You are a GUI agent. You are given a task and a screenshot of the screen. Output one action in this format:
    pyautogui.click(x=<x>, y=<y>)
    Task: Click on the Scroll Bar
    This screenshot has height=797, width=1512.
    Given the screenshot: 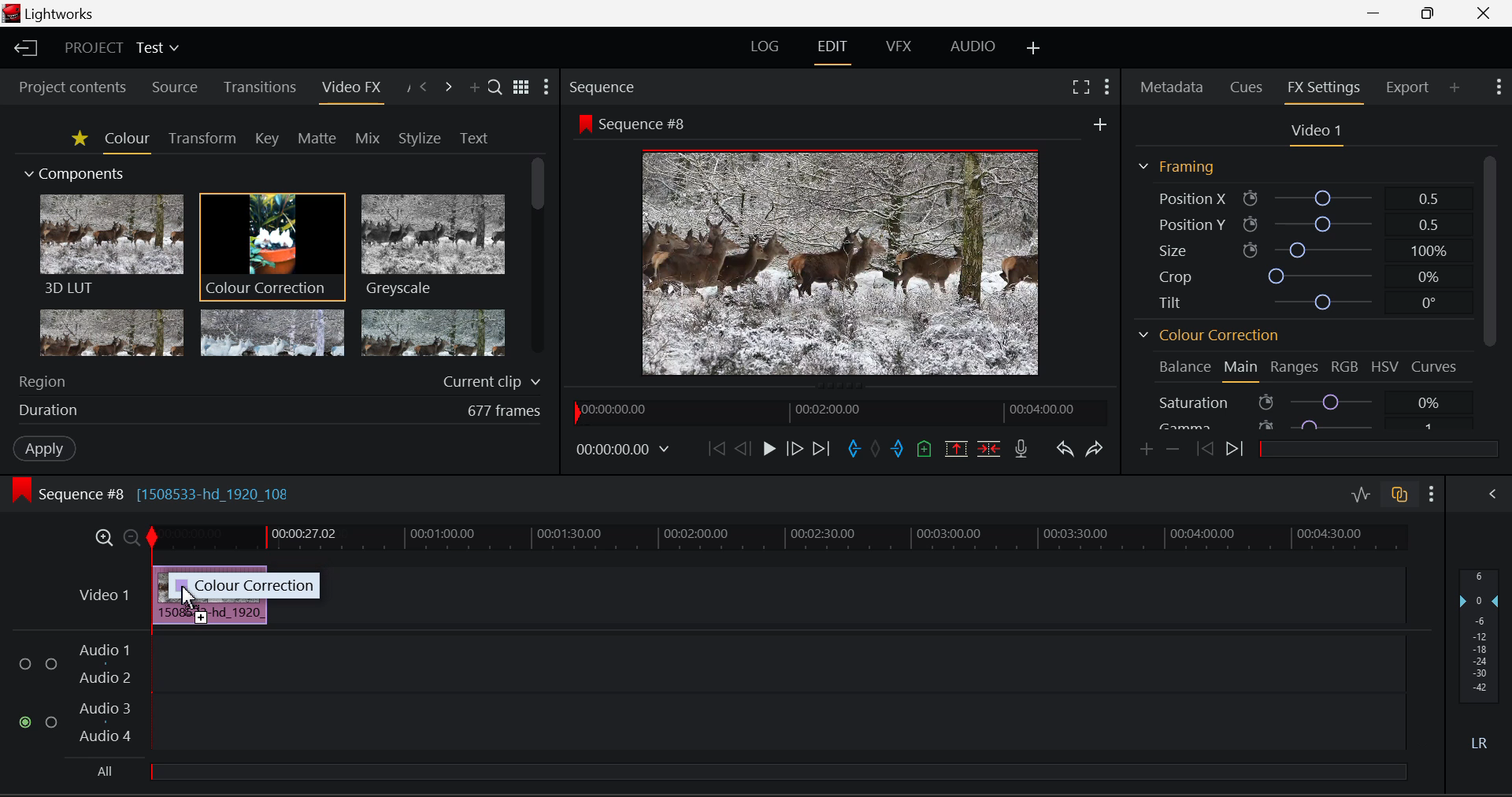 What is the action you would take?
    pyautogui.click(x=539, y=262)
    